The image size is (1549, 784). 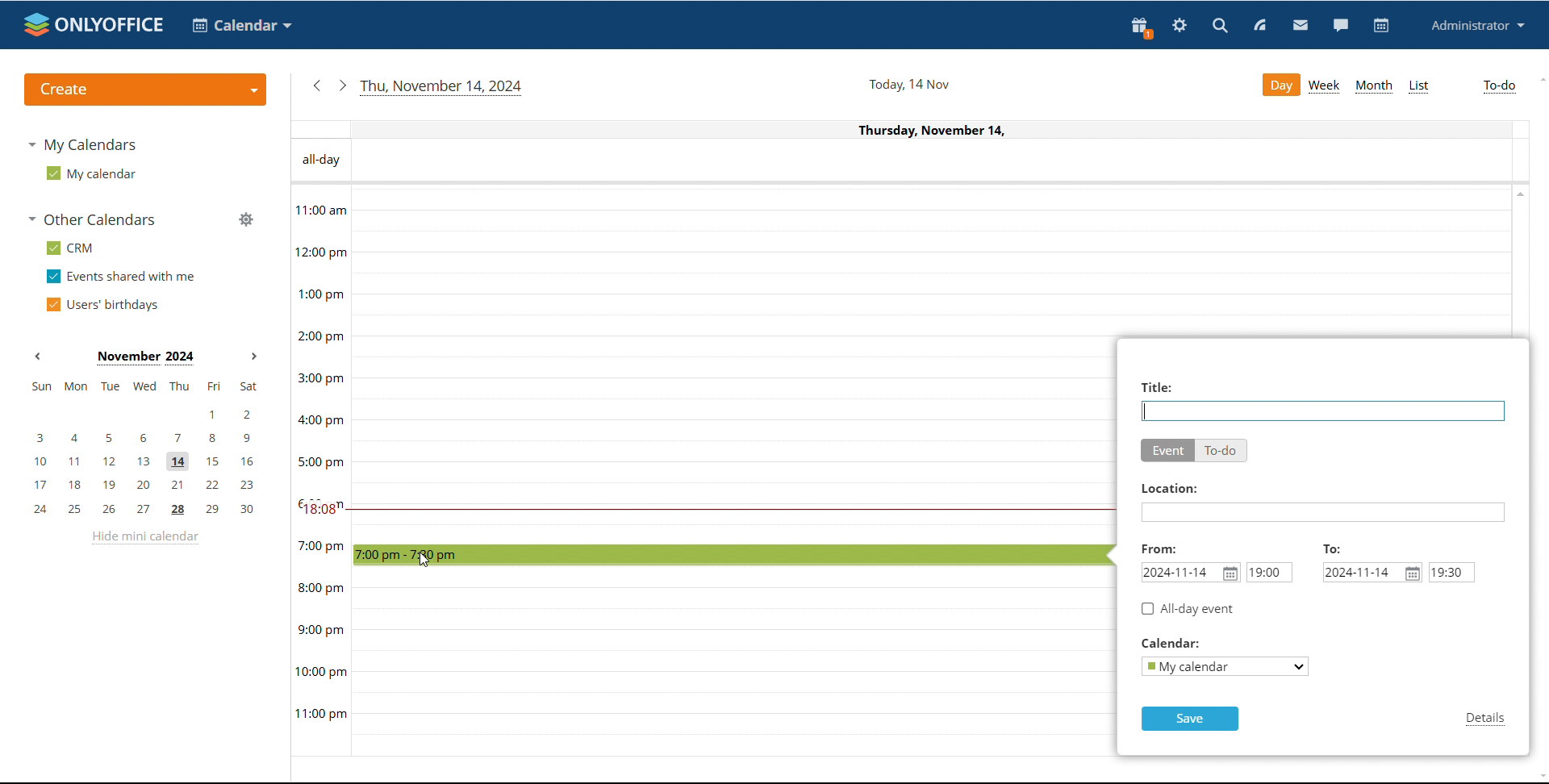 I want to click on present, so click(x=1142, y=27).